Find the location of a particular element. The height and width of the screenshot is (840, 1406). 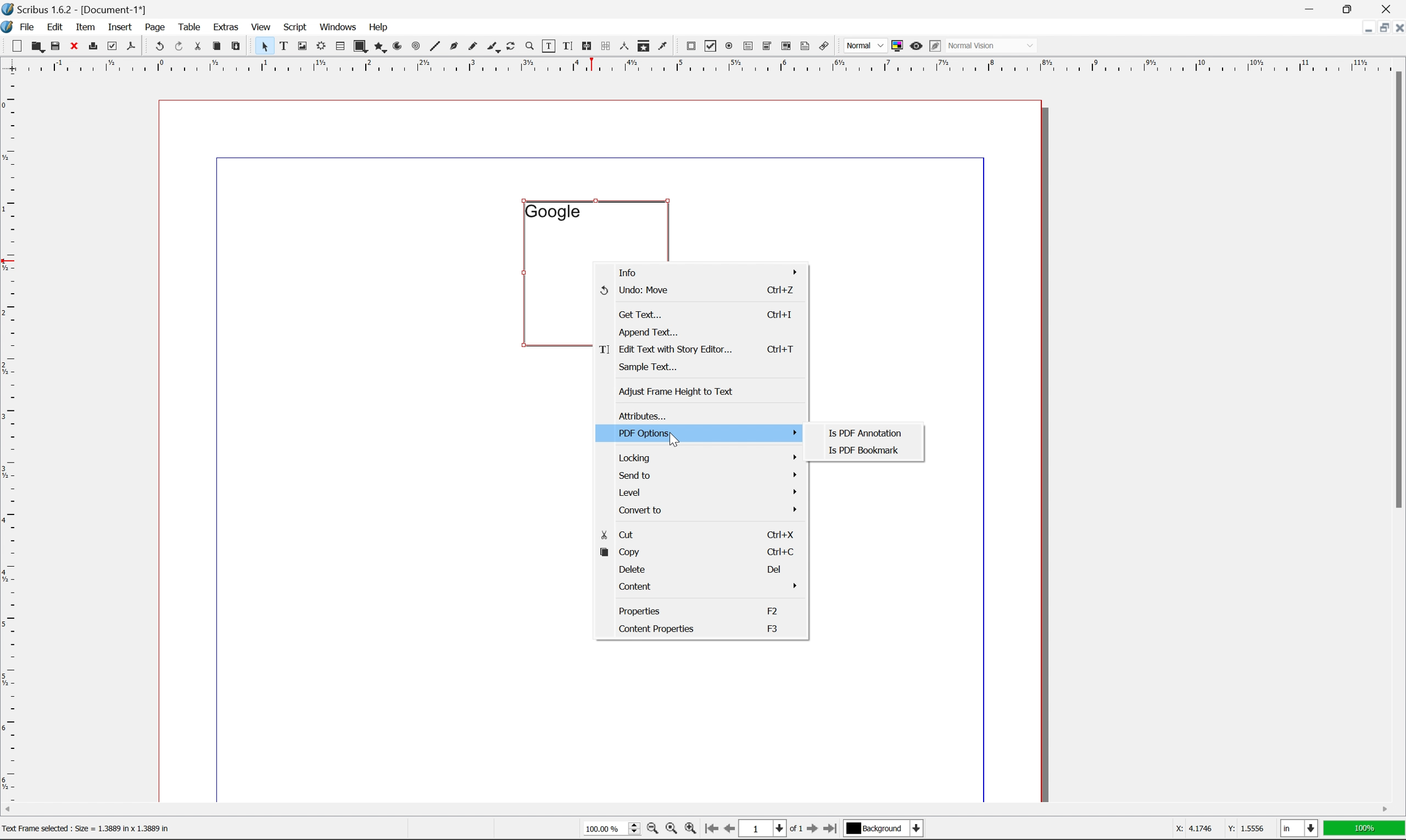

content is located at coordinates (712, 588).